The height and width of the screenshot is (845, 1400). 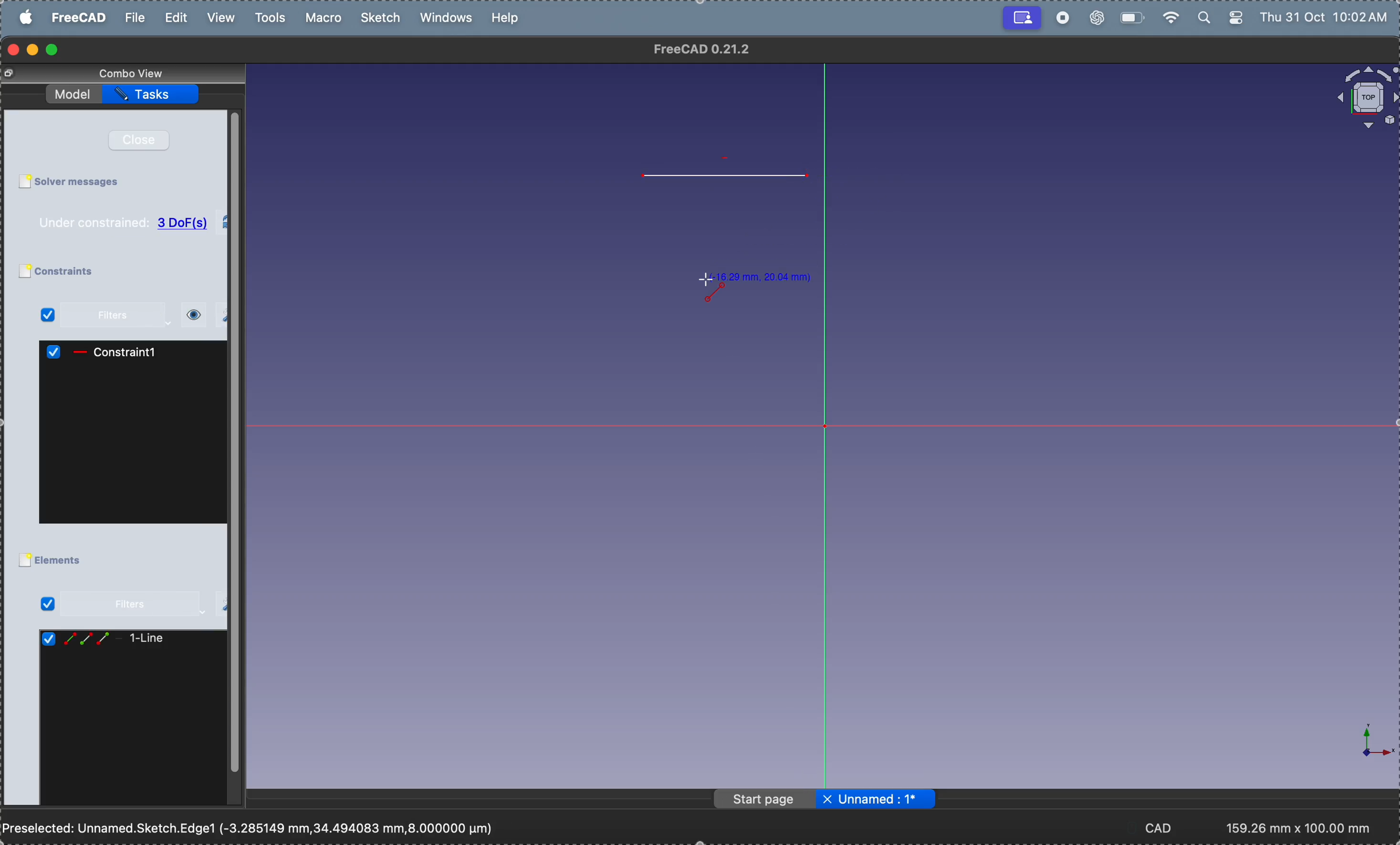 What do you see at coordinates (56, 353) in the screenshot?
I see `Checked Checkbox` at bounding box center [56, 353].